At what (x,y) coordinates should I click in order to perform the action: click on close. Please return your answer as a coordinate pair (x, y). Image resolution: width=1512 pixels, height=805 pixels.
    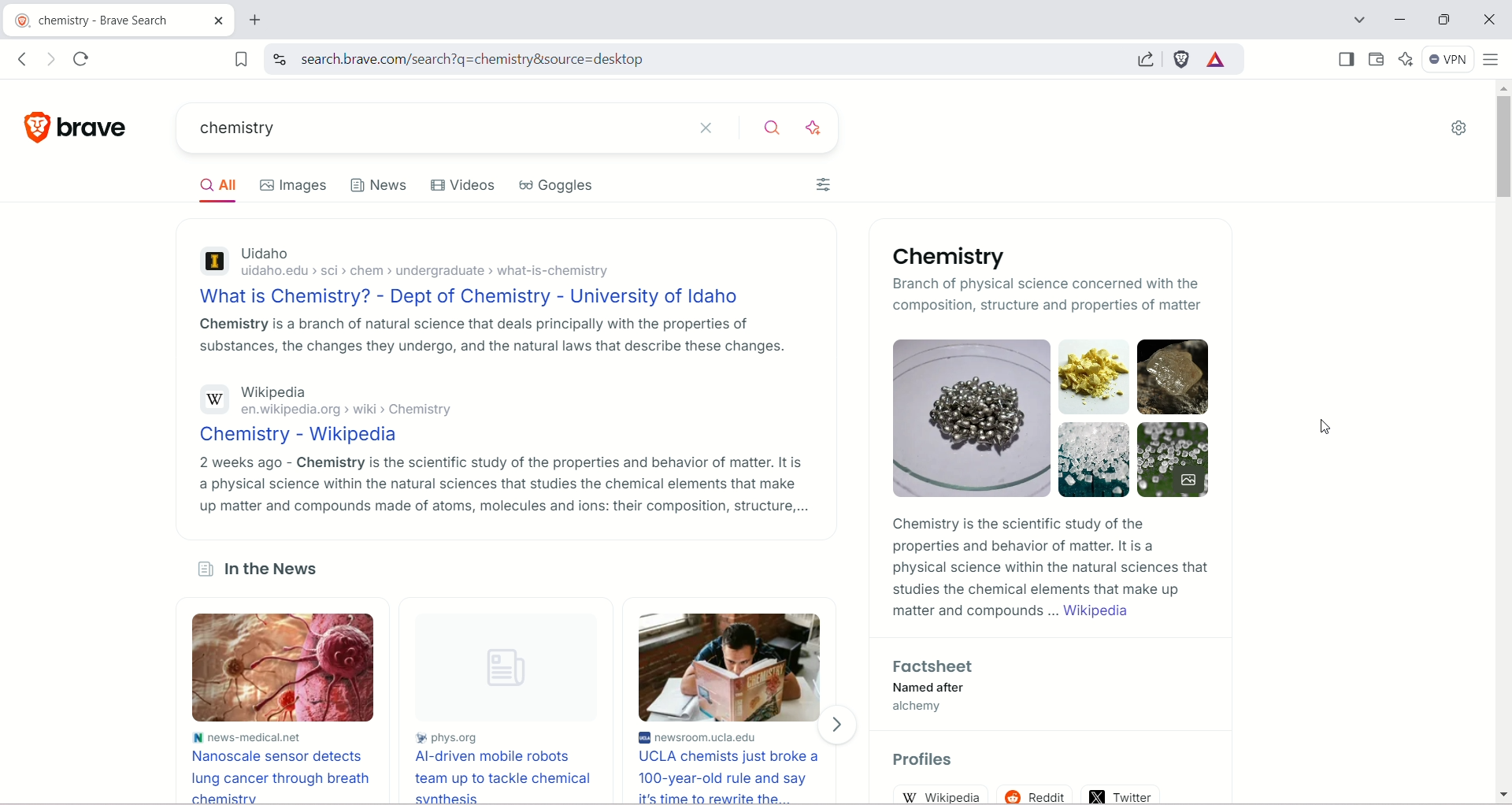
    Looking at the image, I should click on (219, 20).